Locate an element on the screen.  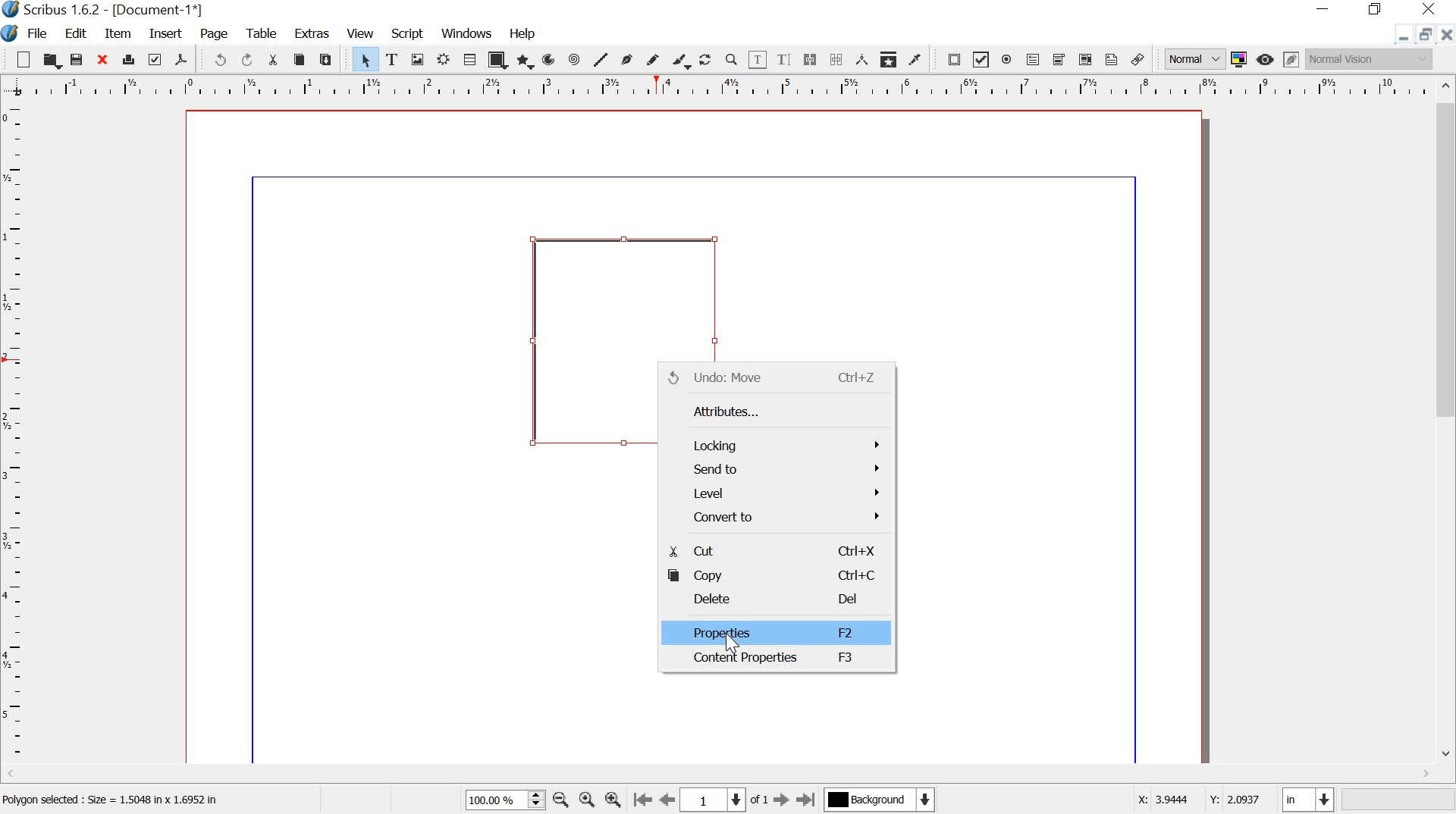
select is located at coordinates (359, 59).